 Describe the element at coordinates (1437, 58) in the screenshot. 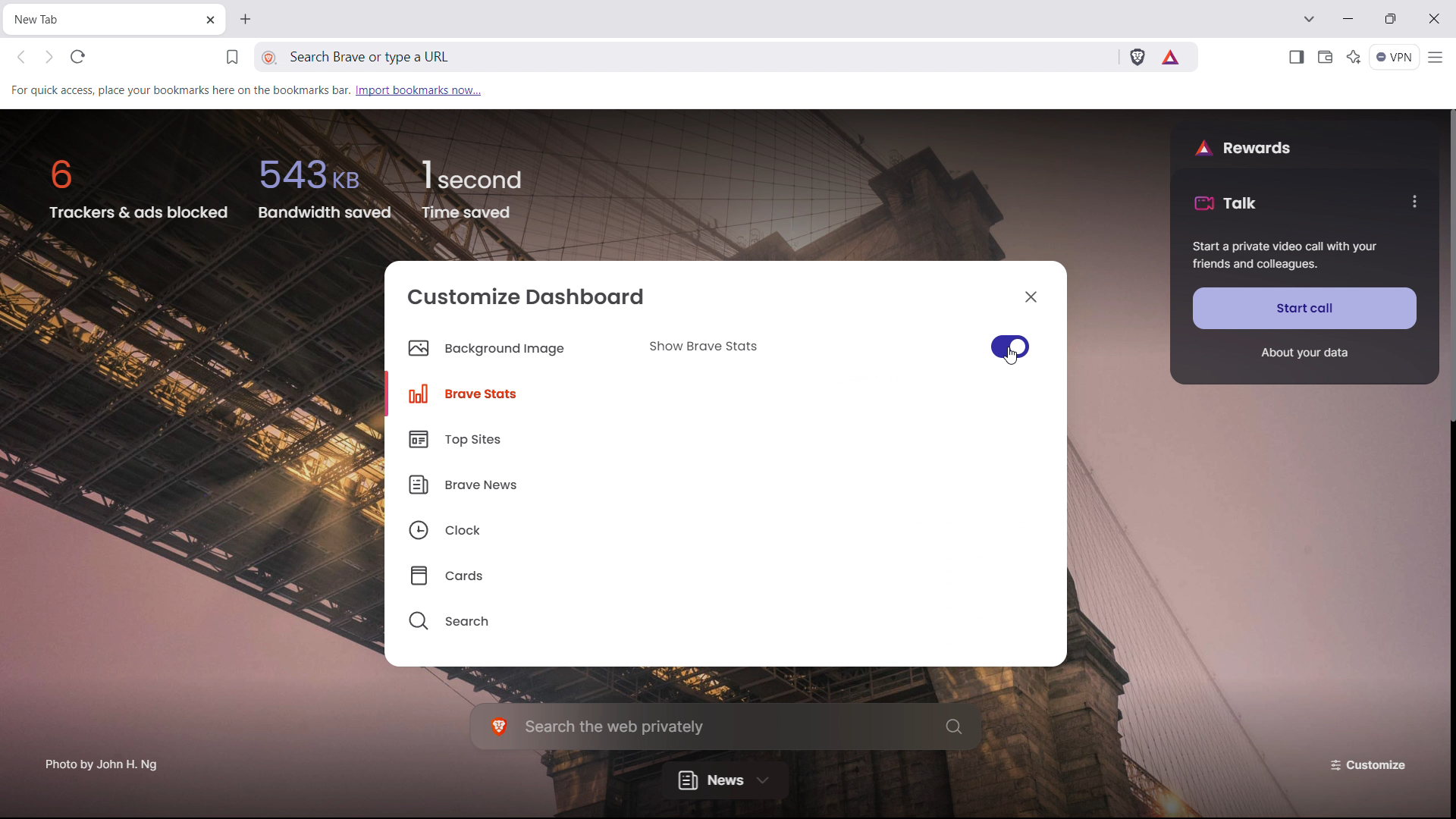

I see `customize and control` at that location.